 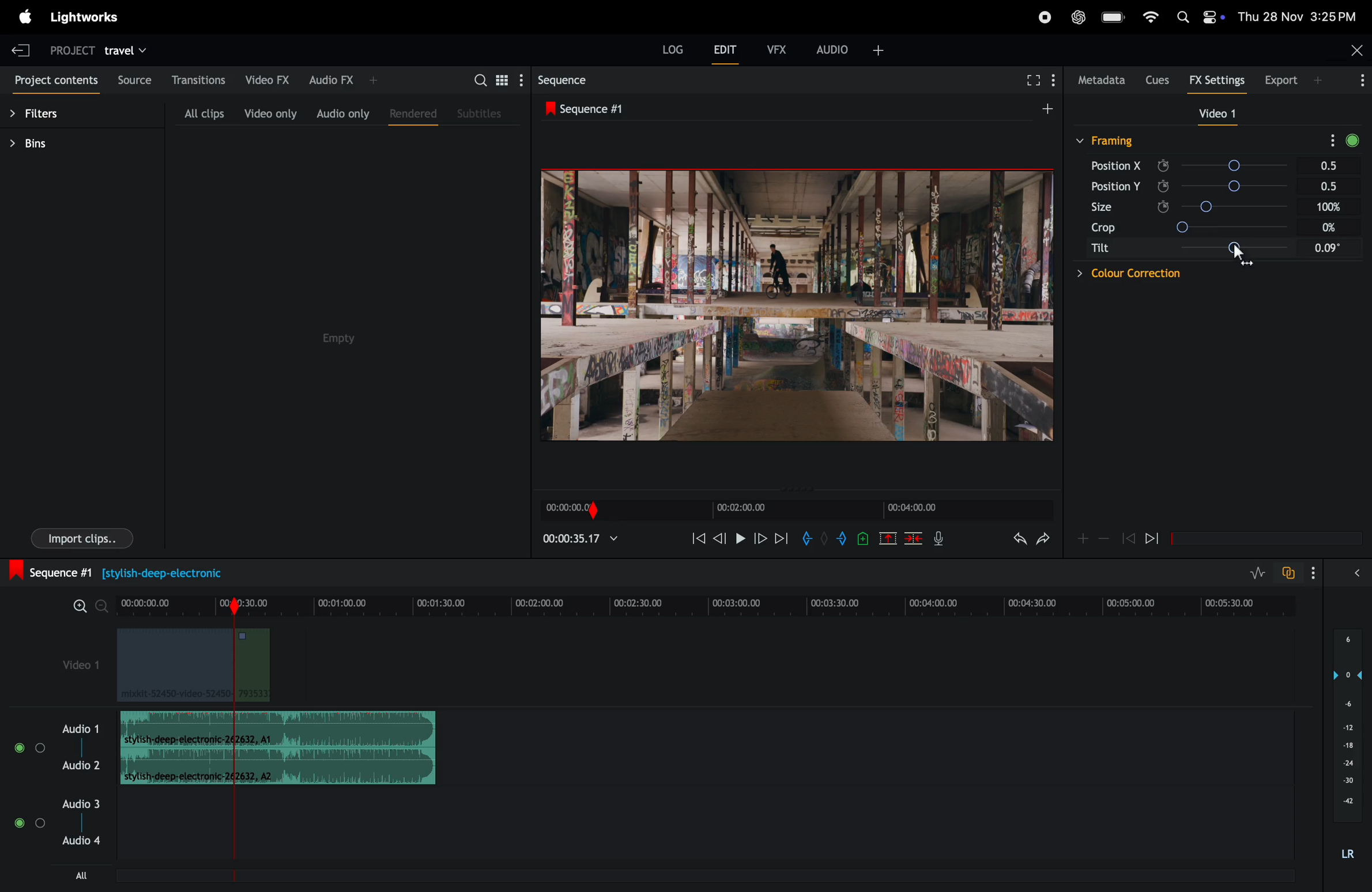 What do you see at coordinates (1264, 229) in the screenshot?
I see `Size slider: 100%` at bounding box center [1264, 229].